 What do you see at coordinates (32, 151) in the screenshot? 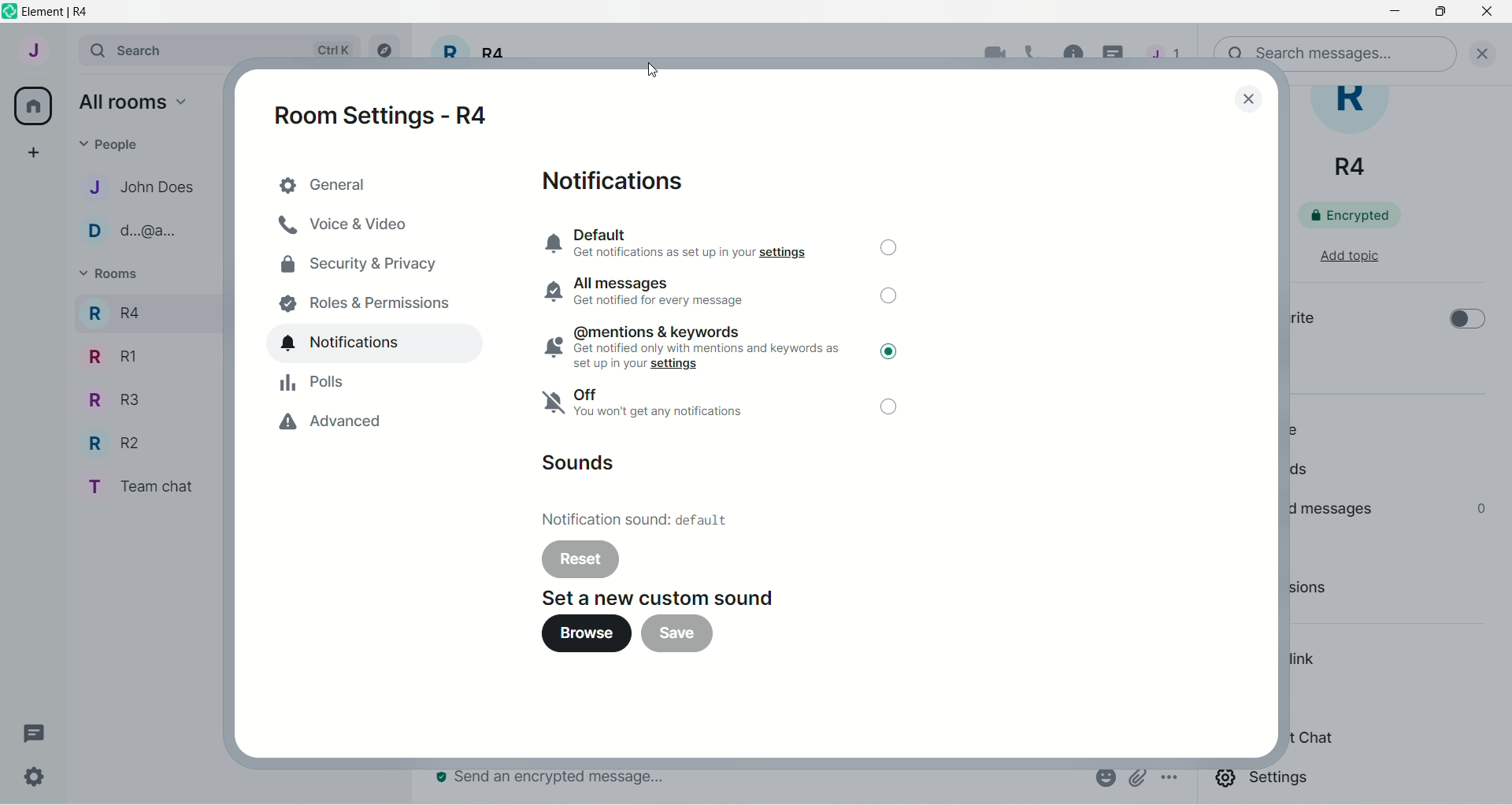
I see `create a space` at bounding box center [32, 151].